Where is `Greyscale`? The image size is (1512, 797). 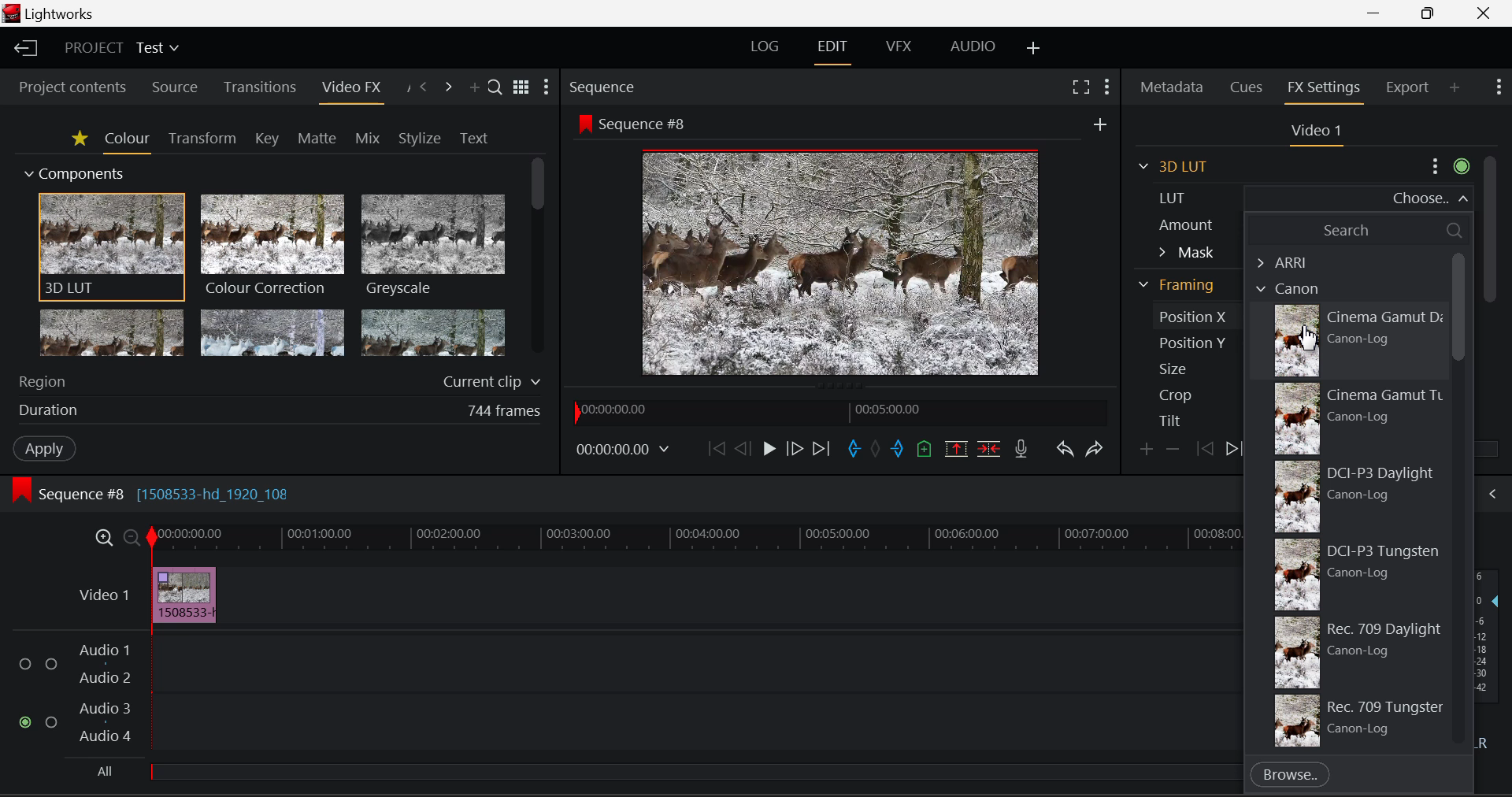 Greyscale is located at coordinates (432, 247).